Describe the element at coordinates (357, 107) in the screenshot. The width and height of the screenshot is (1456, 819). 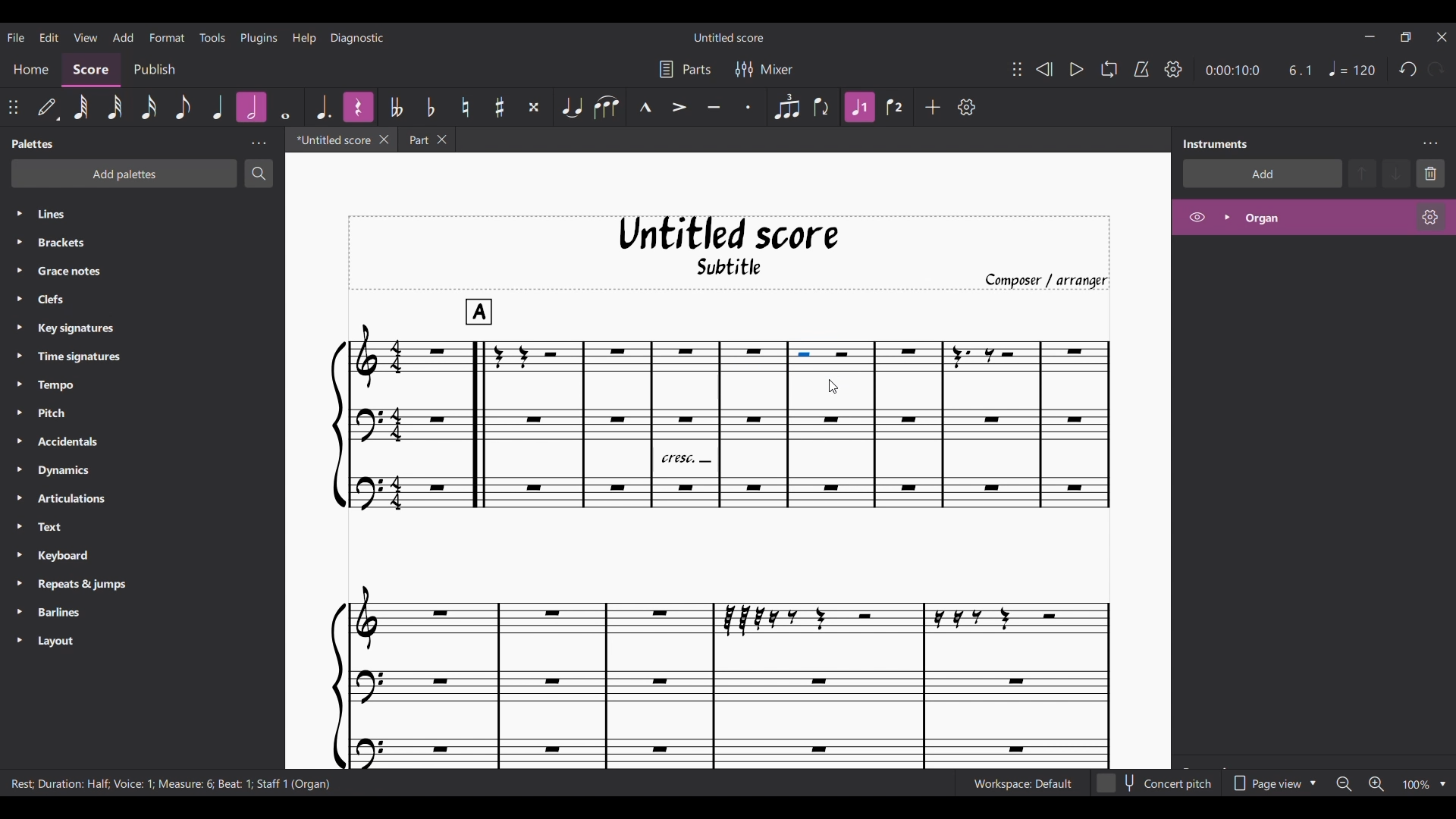
I see `Highlight indicates combination of this note was deleted` at that location.